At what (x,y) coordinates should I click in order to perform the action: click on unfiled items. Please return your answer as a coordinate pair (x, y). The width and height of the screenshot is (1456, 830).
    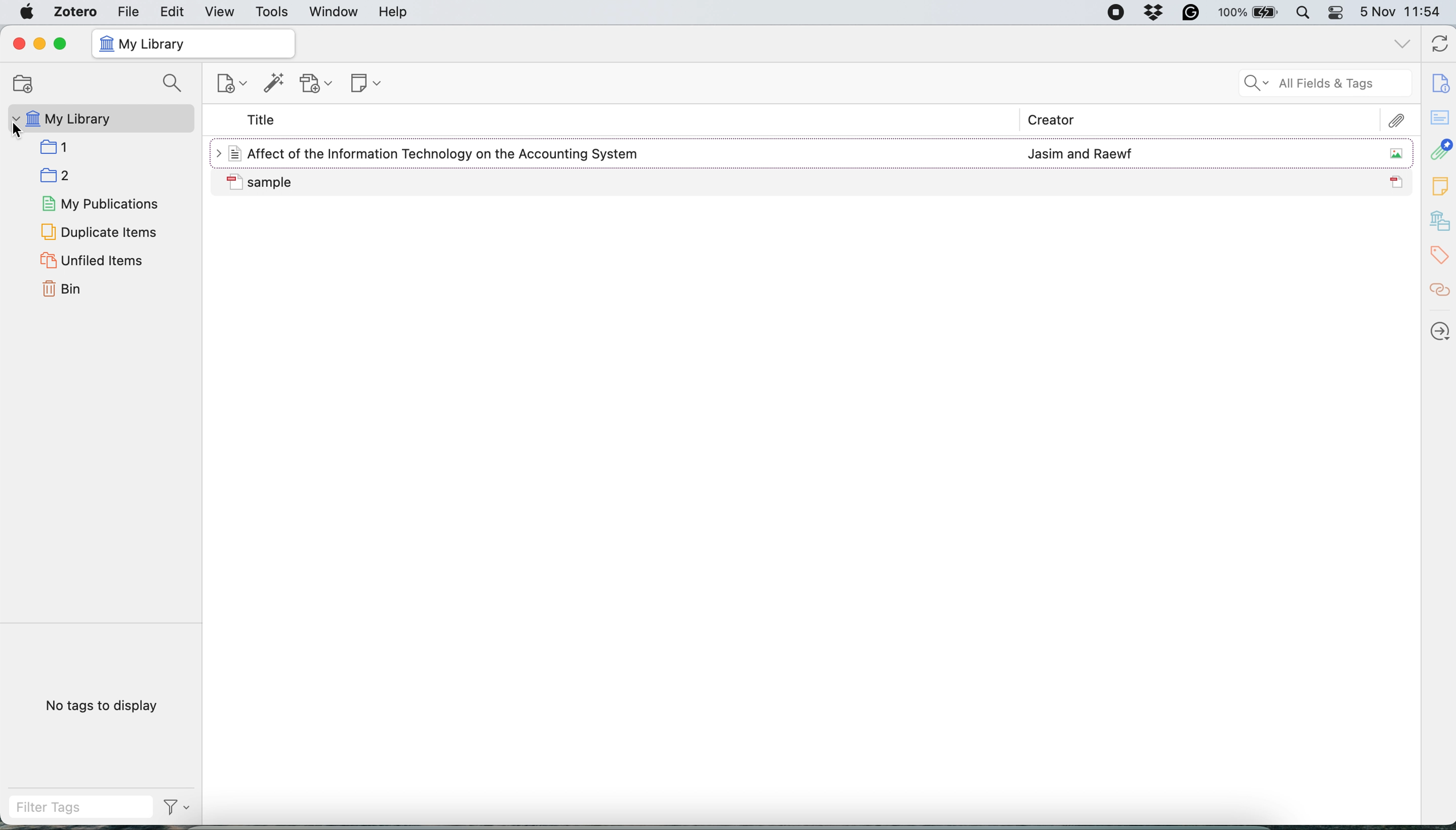
    Looking at the image, I should click on (95, 262).